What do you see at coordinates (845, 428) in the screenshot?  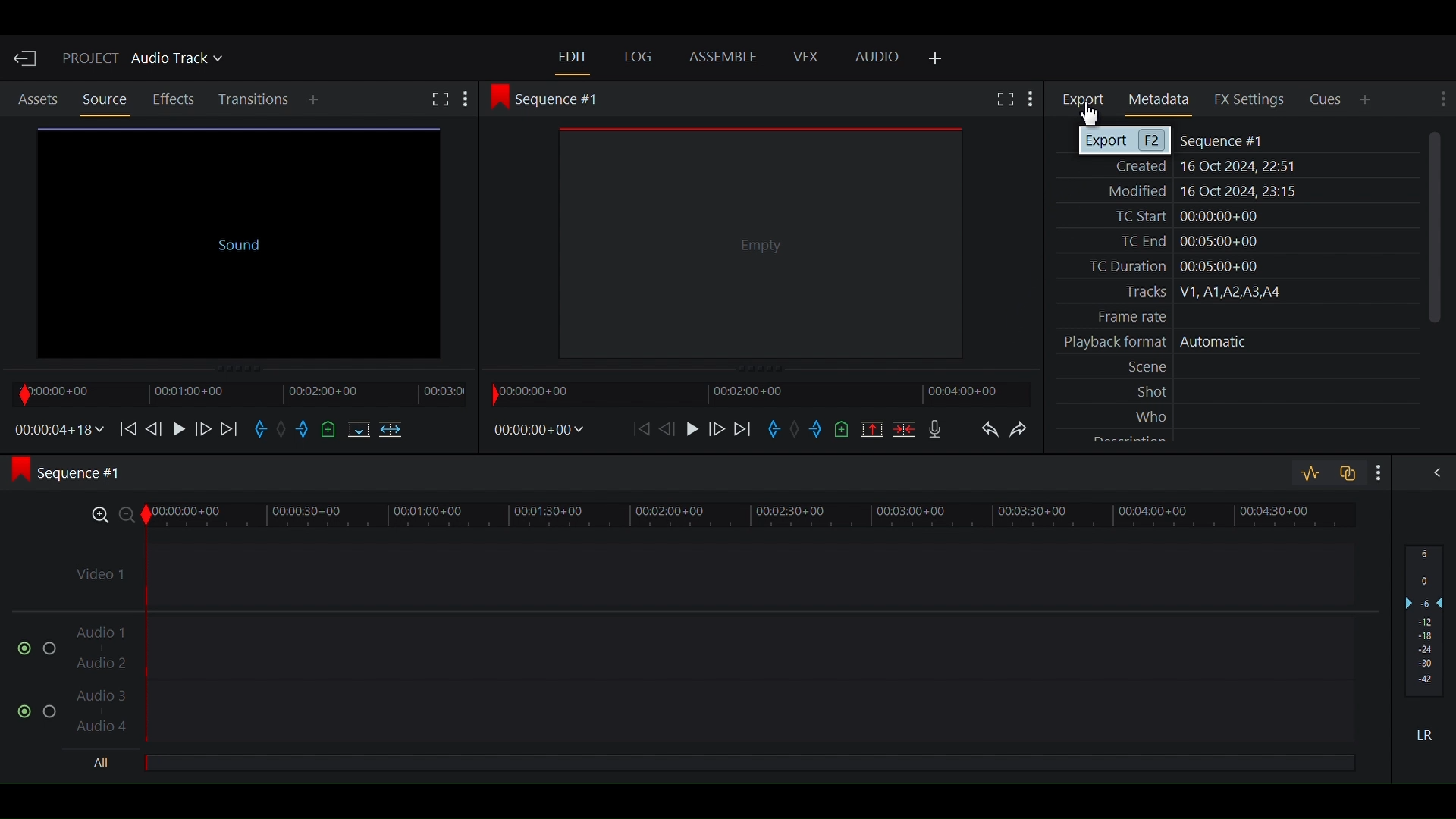 I see `Add a cue` at bounding box center [845, 428].